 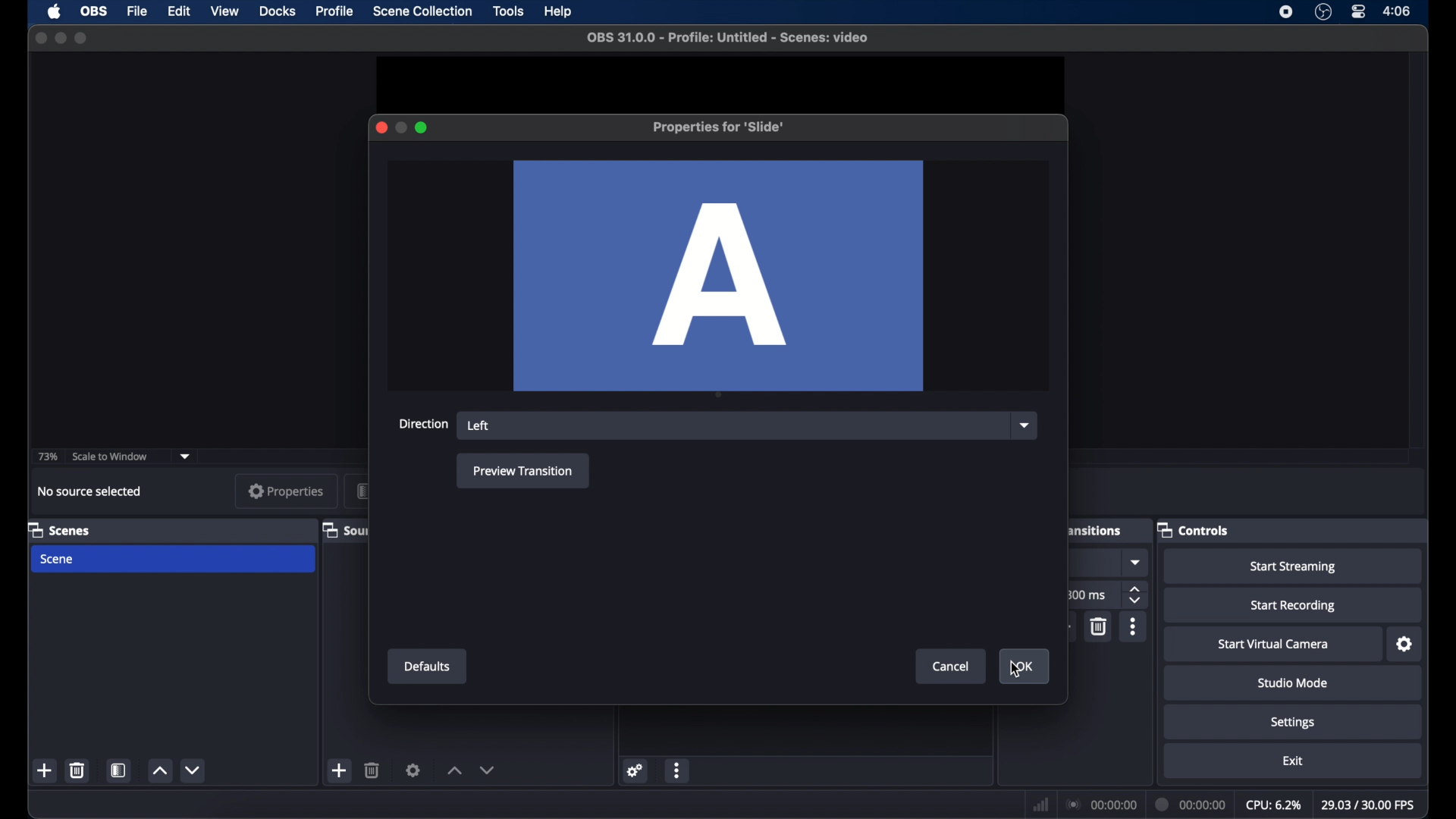 What do you see at coordinates (381, 127) in the screenshot?
I see `close` at bounding box center [381, 127].